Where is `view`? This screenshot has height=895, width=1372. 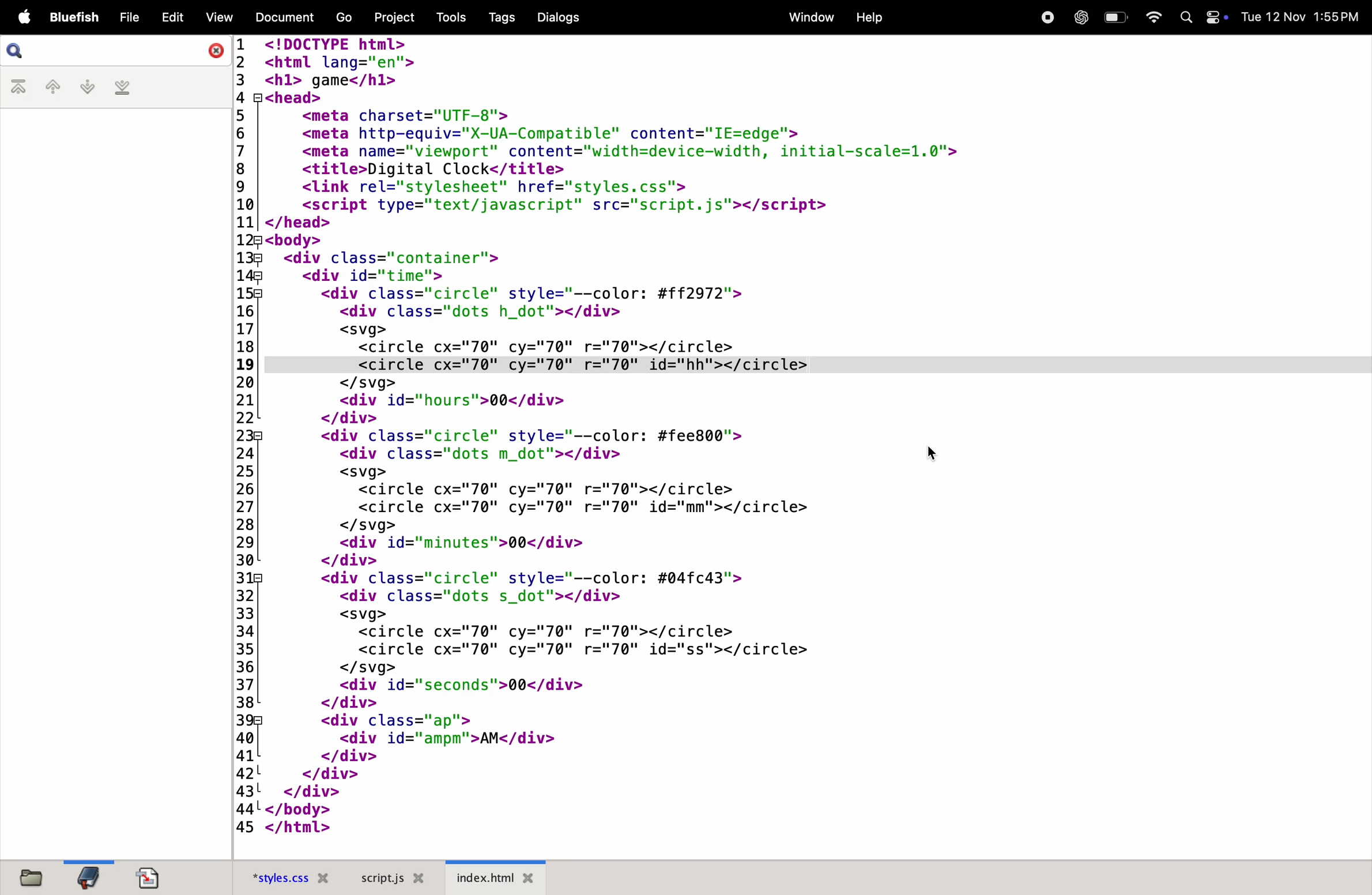 view is located at coordinates (217, 18).